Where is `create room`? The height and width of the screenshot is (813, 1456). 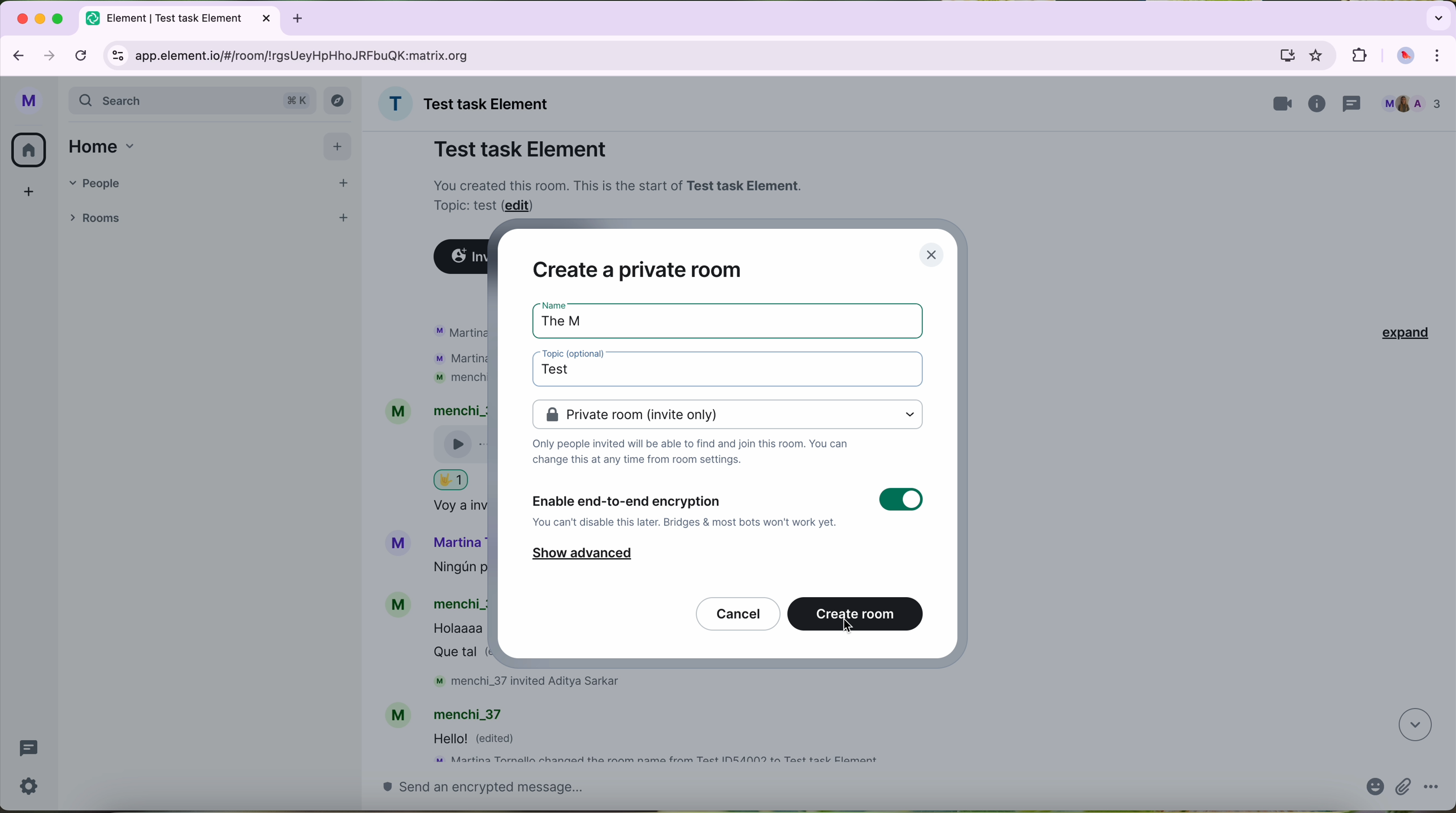
create room is located at coordinates (856, 613).